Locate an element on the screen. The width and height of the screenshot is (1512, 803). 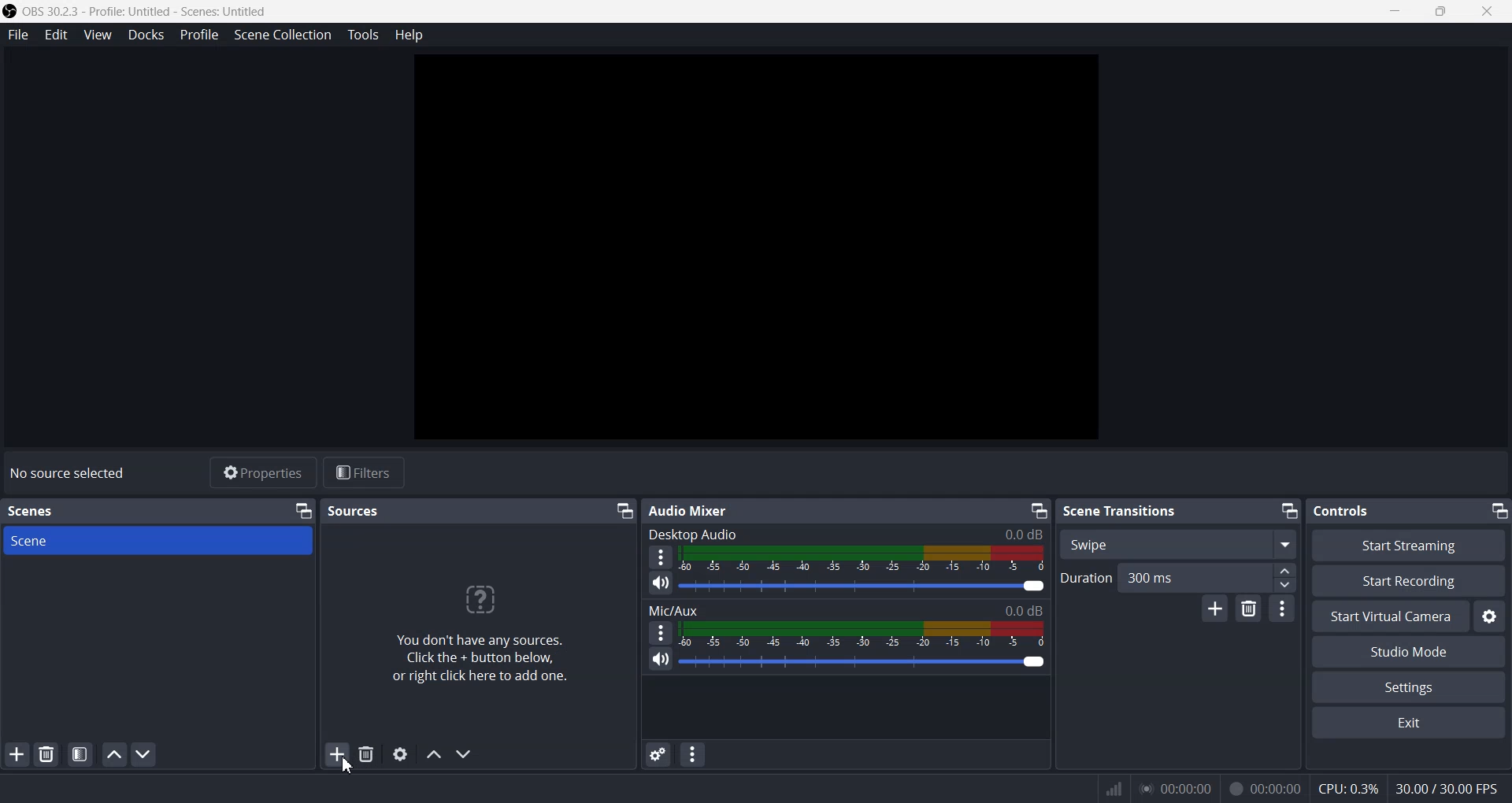
Advance Audio properties is located at coordinates (658, 754).